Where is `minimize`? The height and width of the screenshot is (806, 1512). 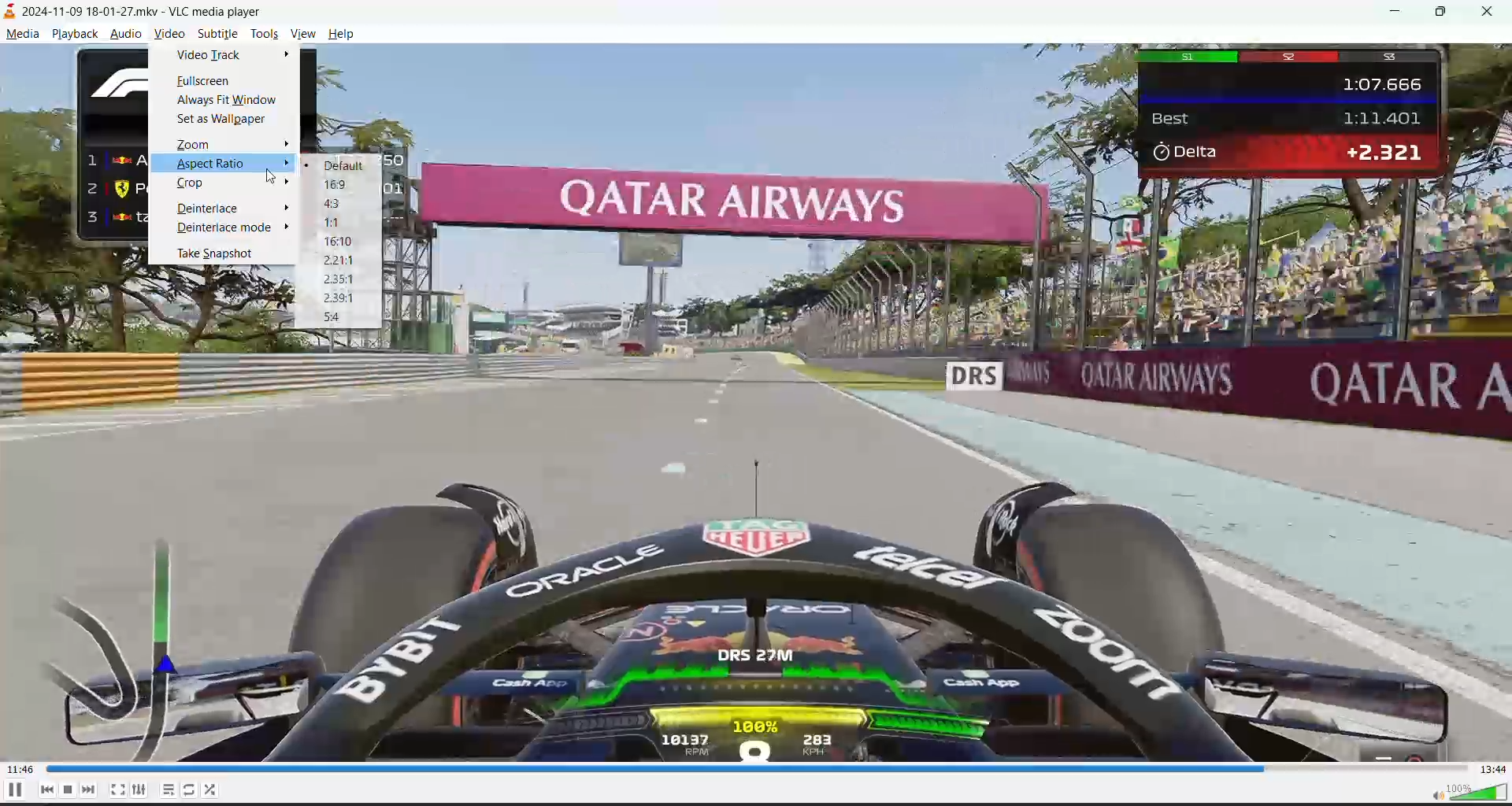 minimize is located at coordinates (1403, 13).